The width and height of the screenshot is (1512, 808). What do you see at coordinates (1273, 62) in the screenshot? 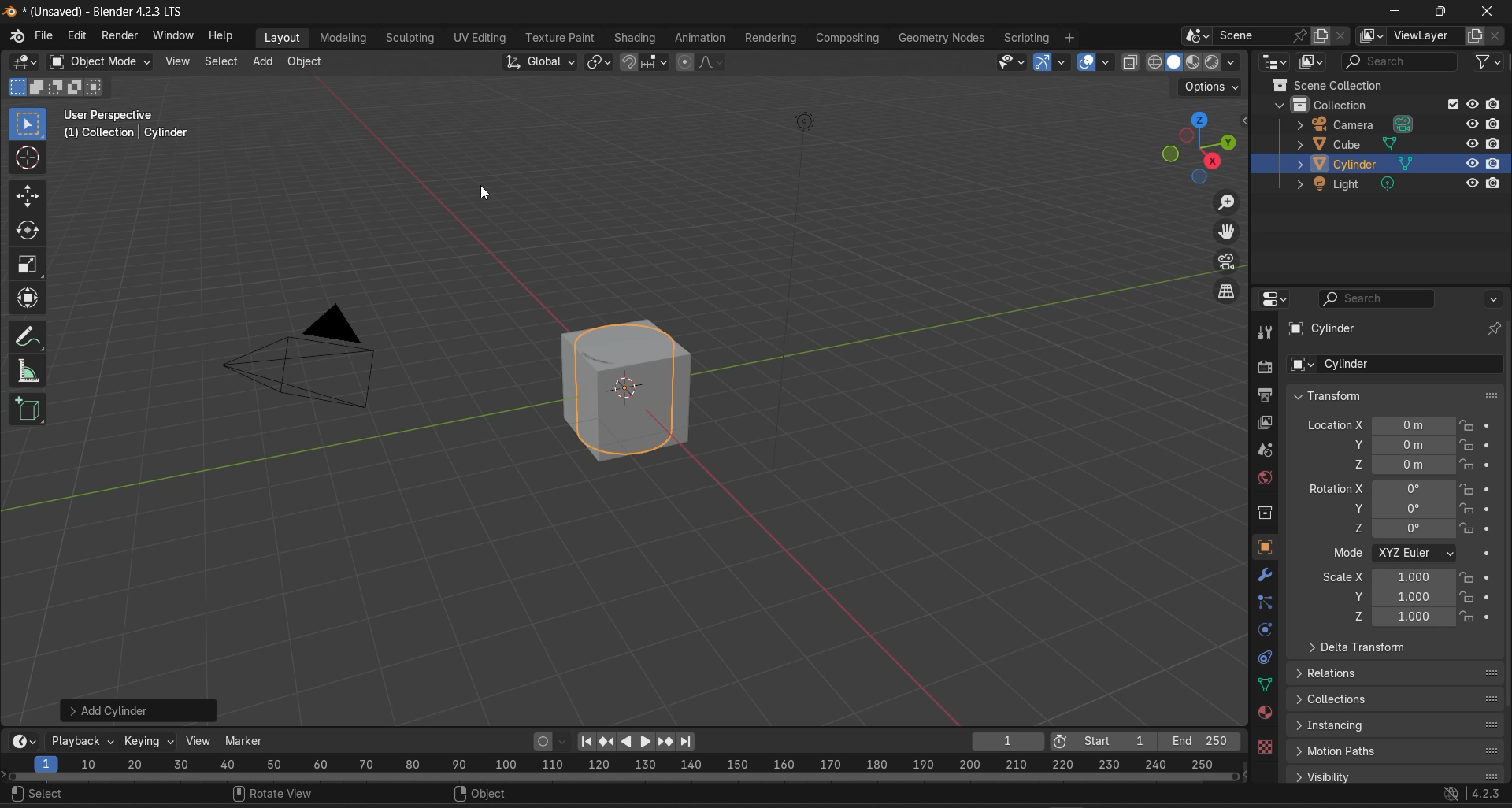
I see `editor type` at bounding box center [1273, 62].